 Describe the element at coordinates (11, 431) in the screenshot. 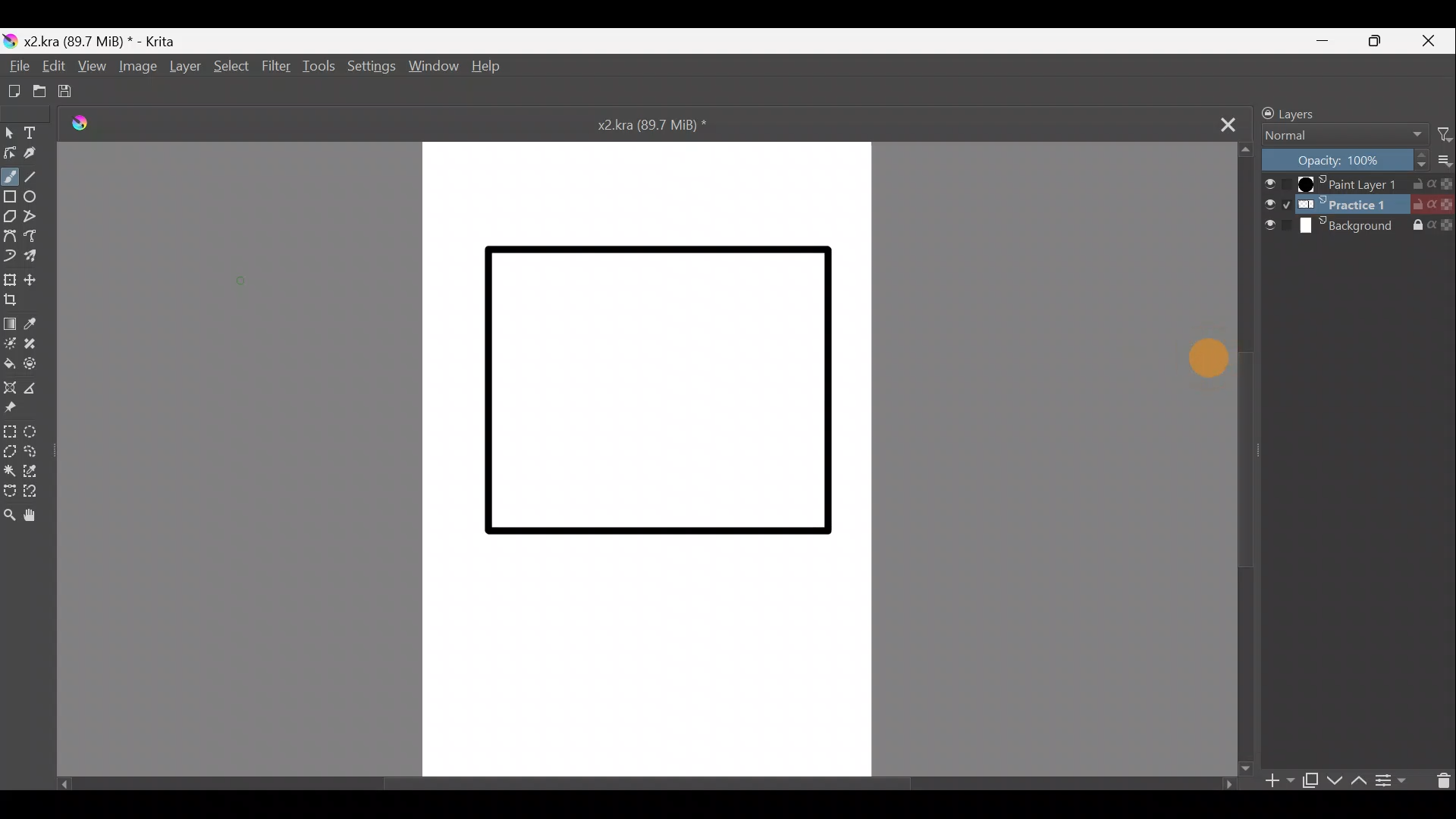

I see `Rectangular selection tool` at that location.